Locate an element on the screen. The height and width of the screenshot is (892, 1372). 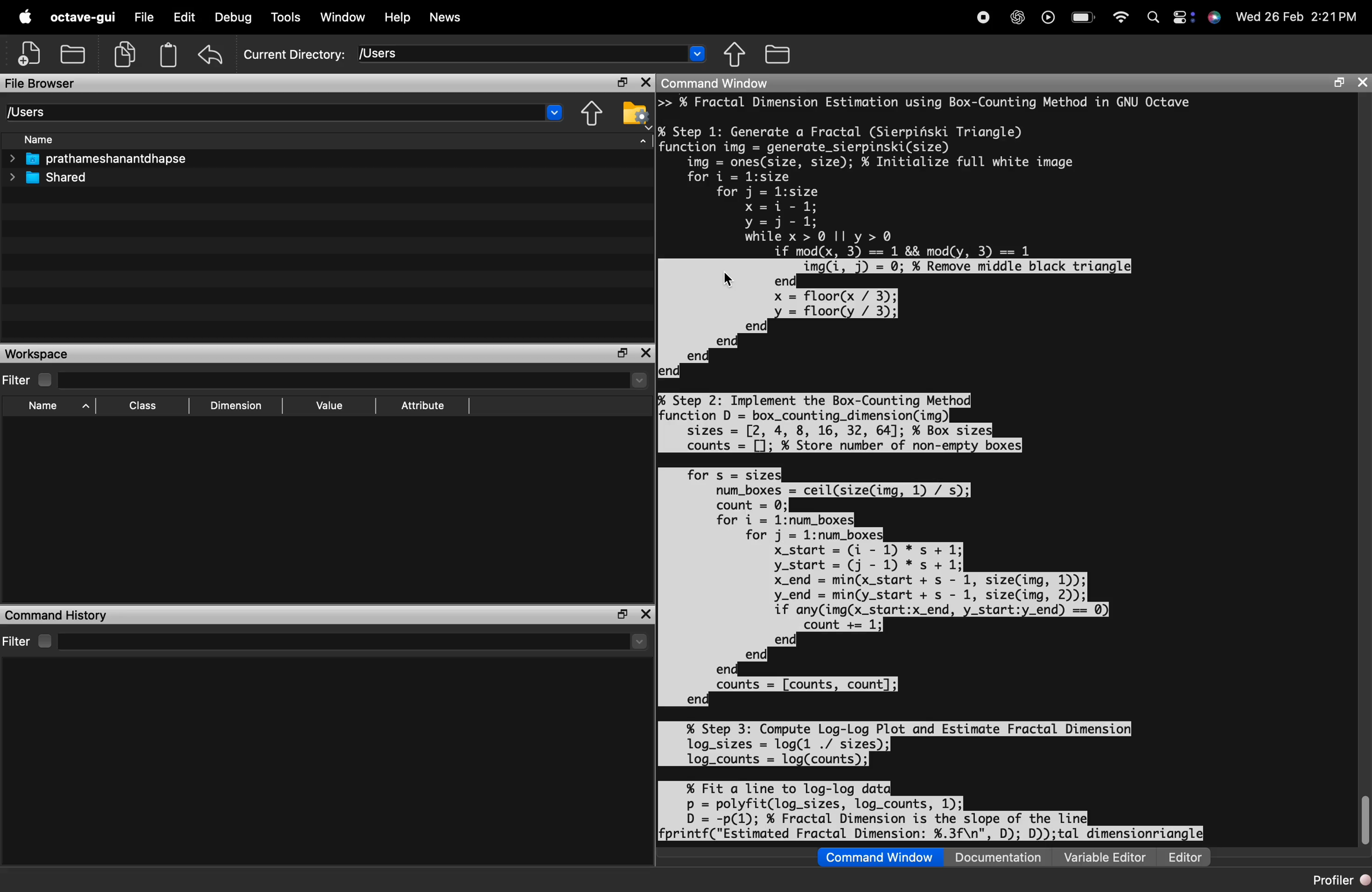
Workspace is located at coordinates (40, 351).